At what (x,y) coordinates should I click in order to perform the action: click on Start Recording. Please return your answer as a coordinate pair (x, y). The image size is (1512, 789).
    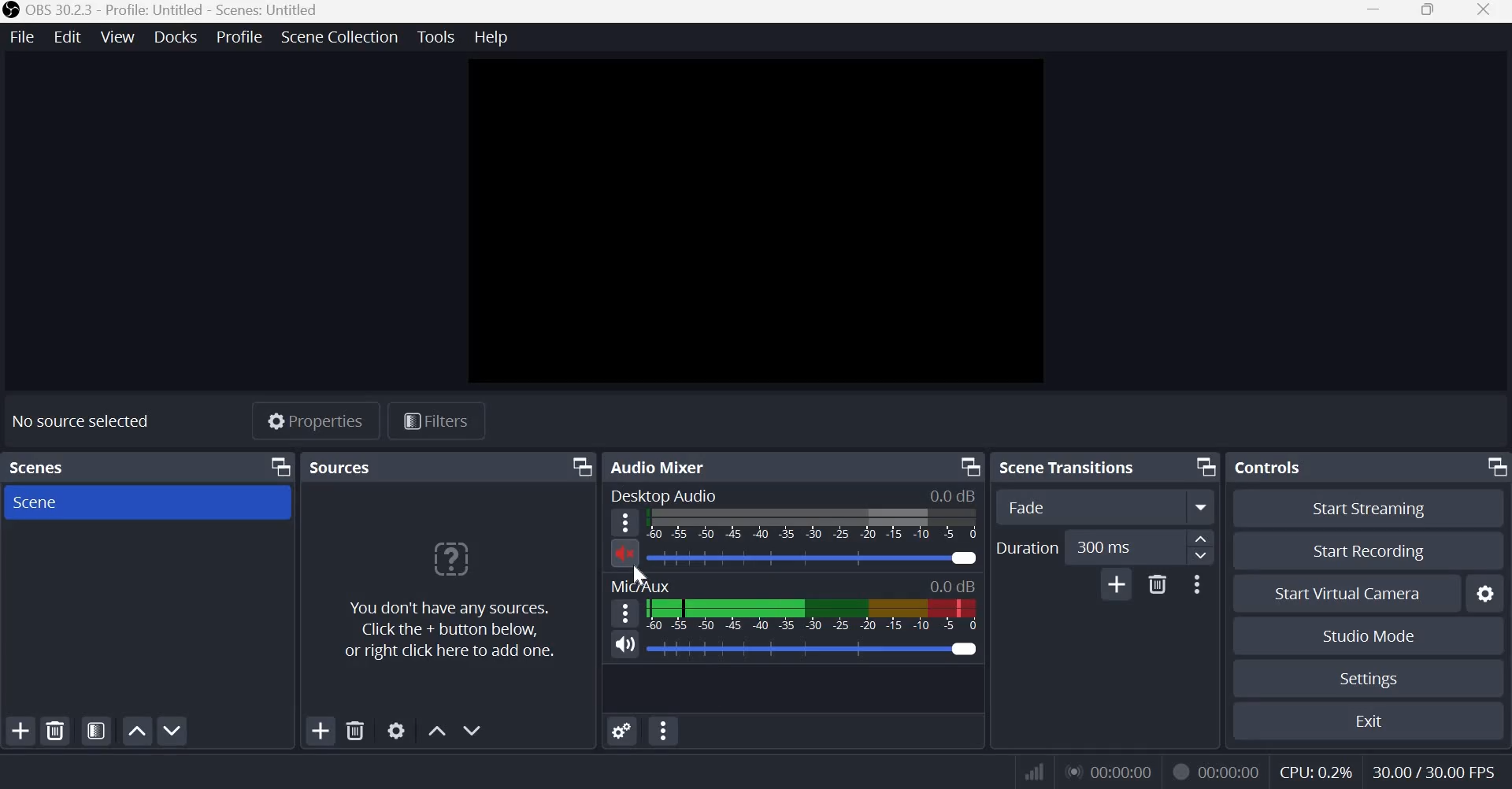
    Looking at the image, I should click on (1369, 550).